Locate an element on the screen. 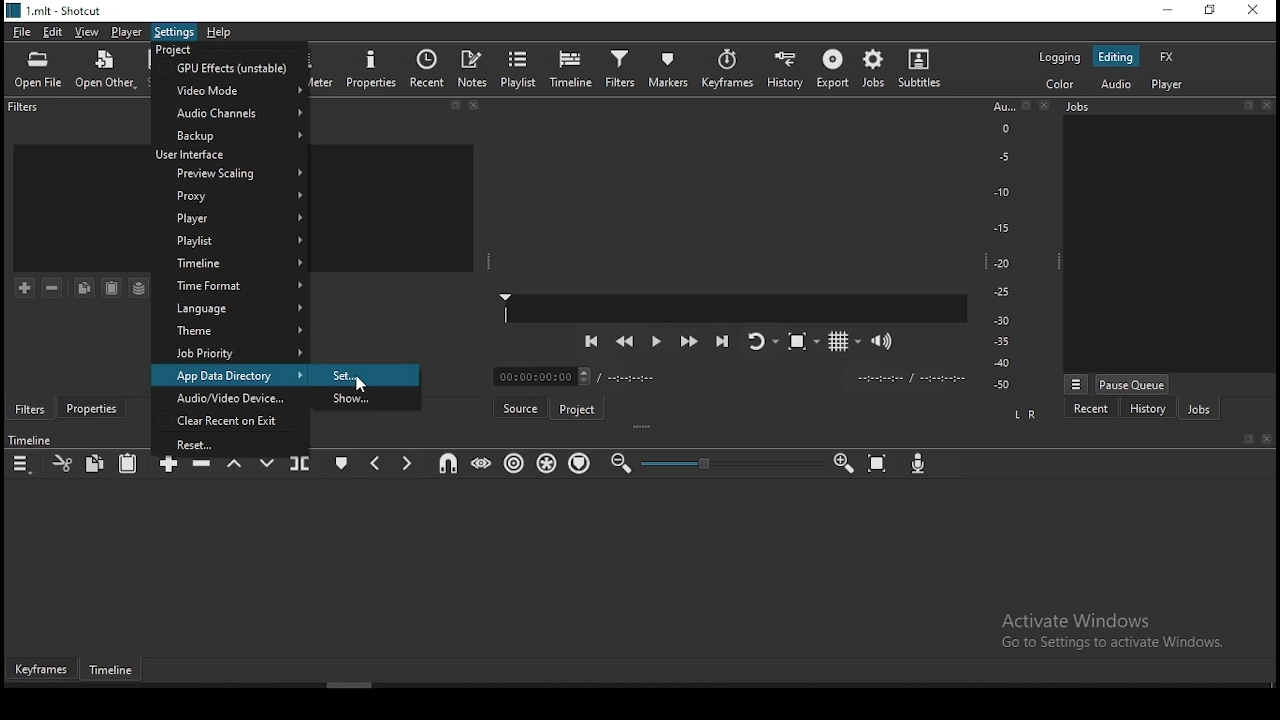  clear recent on exit is located at coordinates (228, 420).